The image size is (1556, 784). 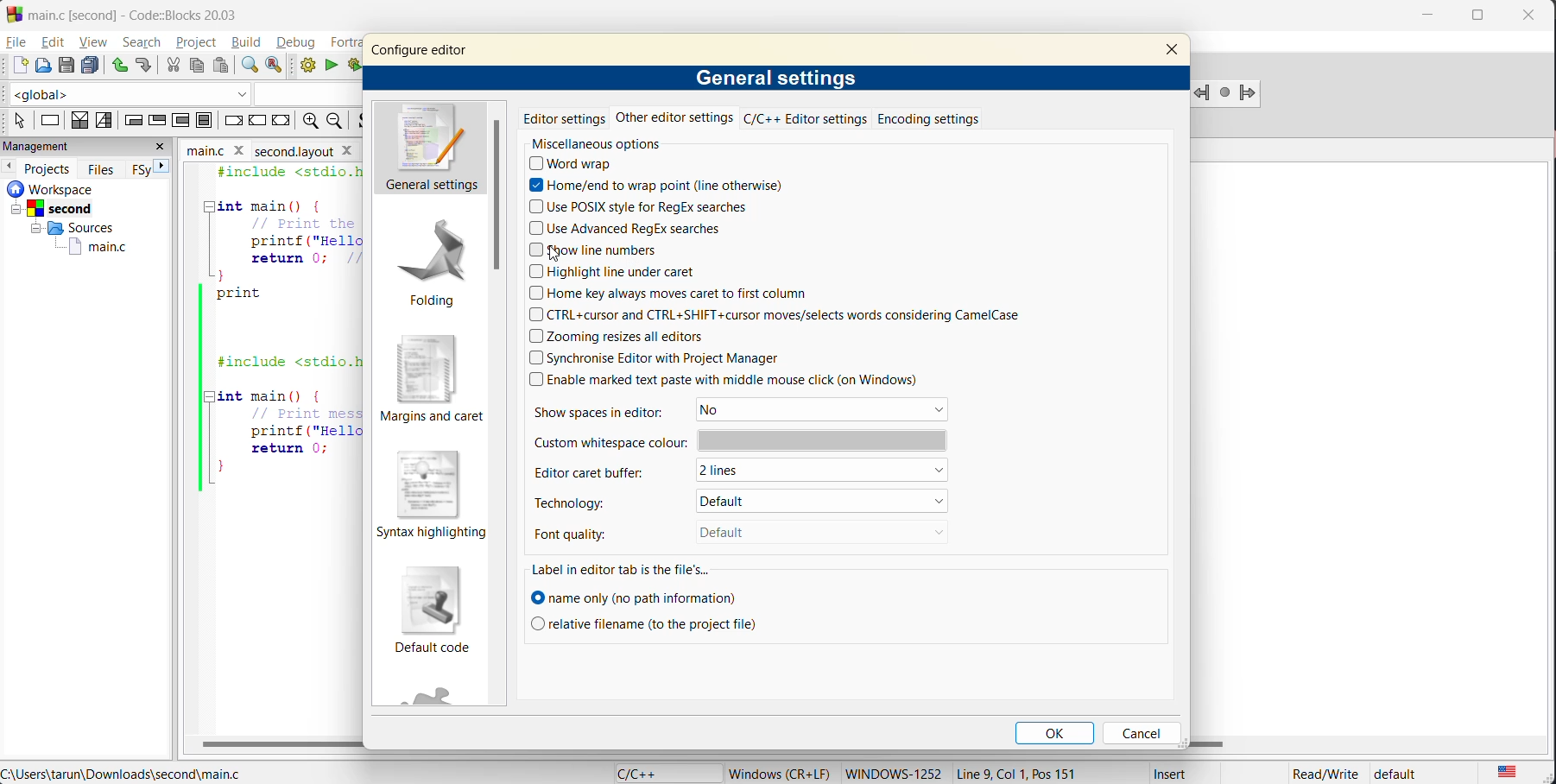 What do you see at coordinates (1032, 769) in the screenshot?
I see `Line 9, Col 1, Pos 151` at bounding box center [1032, 769].